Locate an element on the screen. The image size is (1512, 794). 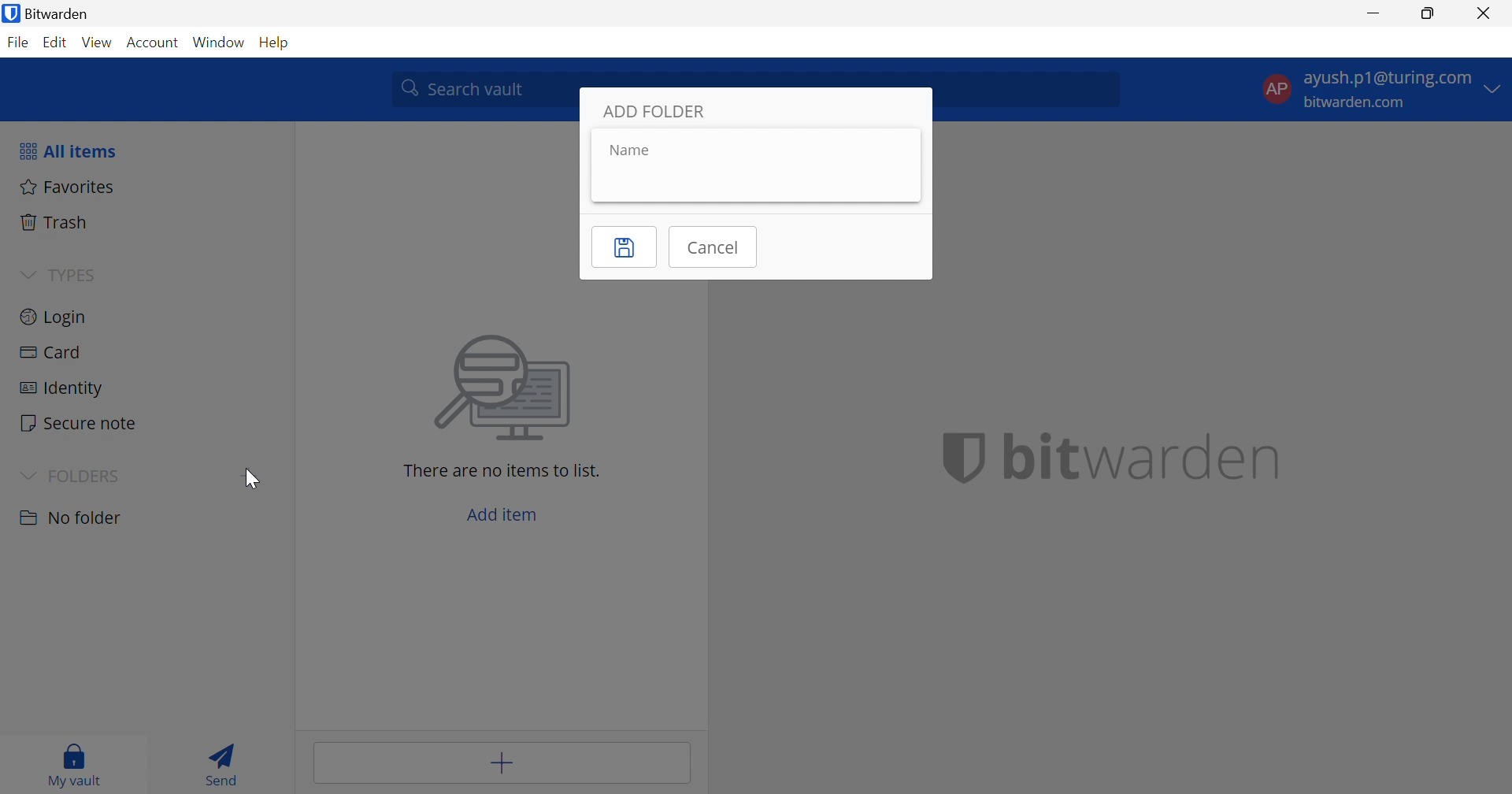
No Folder is located at coordinates (69, 520).